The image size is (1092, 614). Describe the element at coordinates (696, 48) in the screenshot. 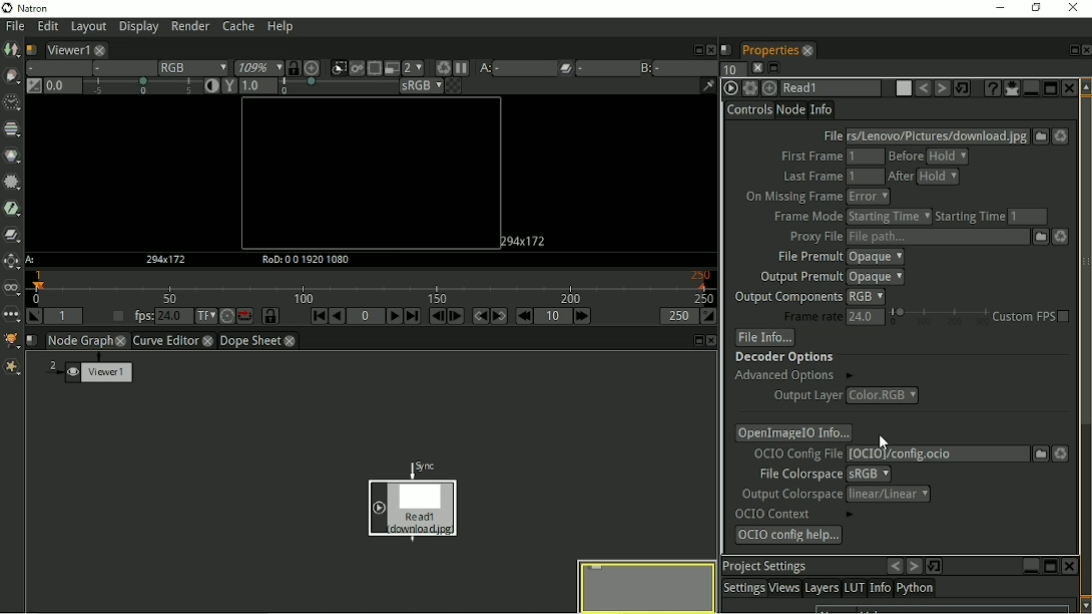

I see `Float pane` at that location.